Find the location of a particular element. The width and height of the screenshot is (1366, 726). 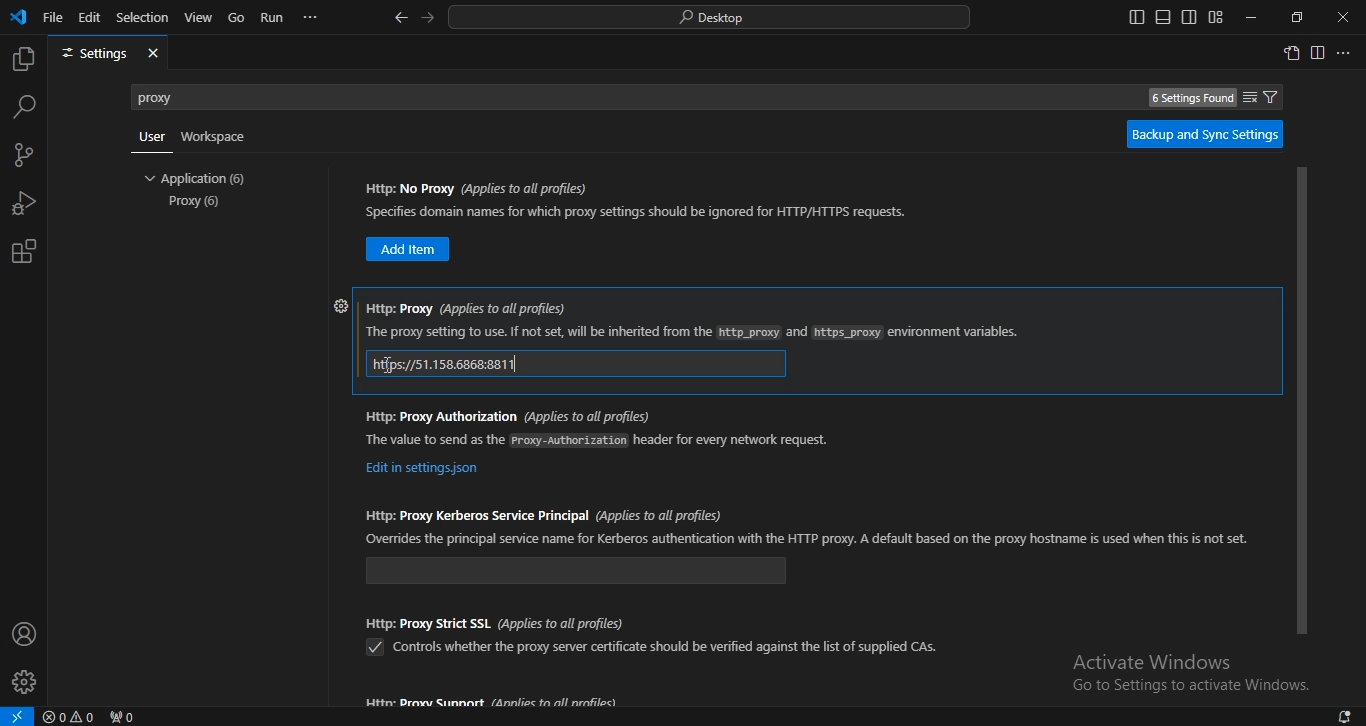

1 new notification is located at coordinates (1337, 714).